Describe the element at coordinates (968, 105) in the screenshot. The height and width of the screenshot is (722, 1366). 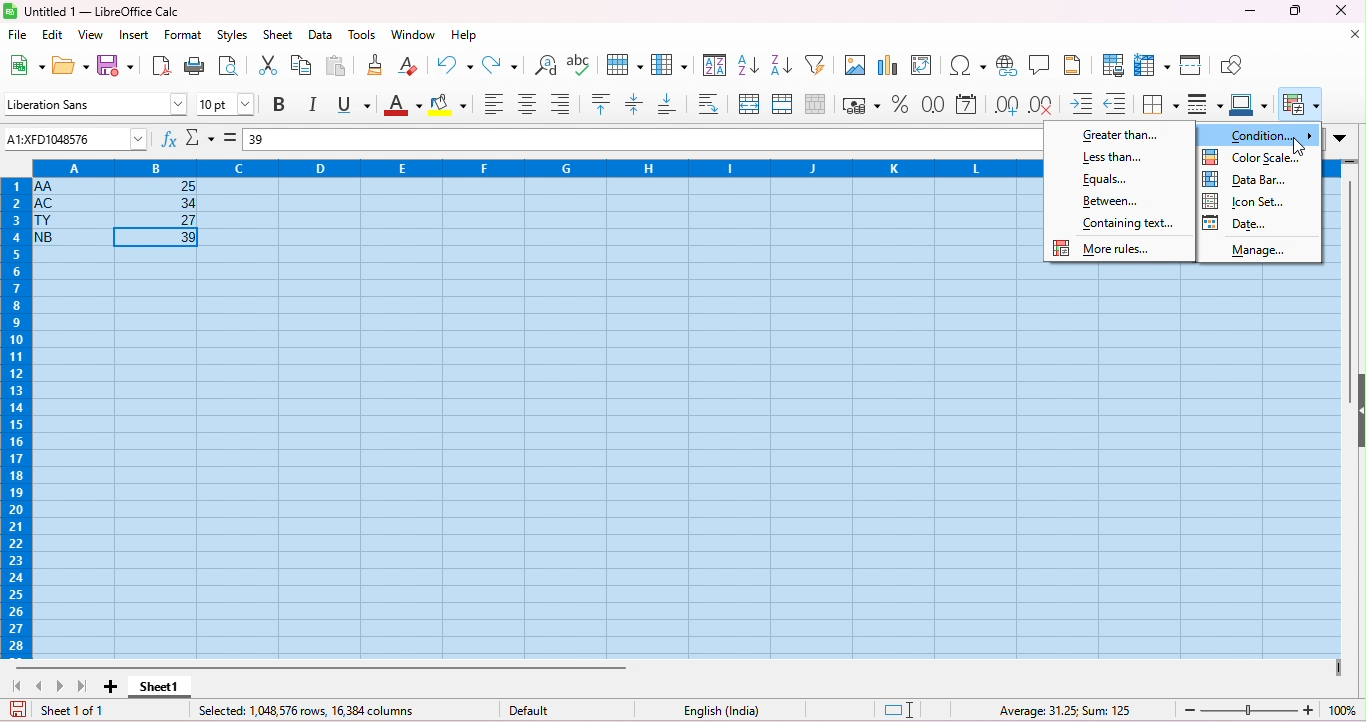
I see `format as date` at that location.